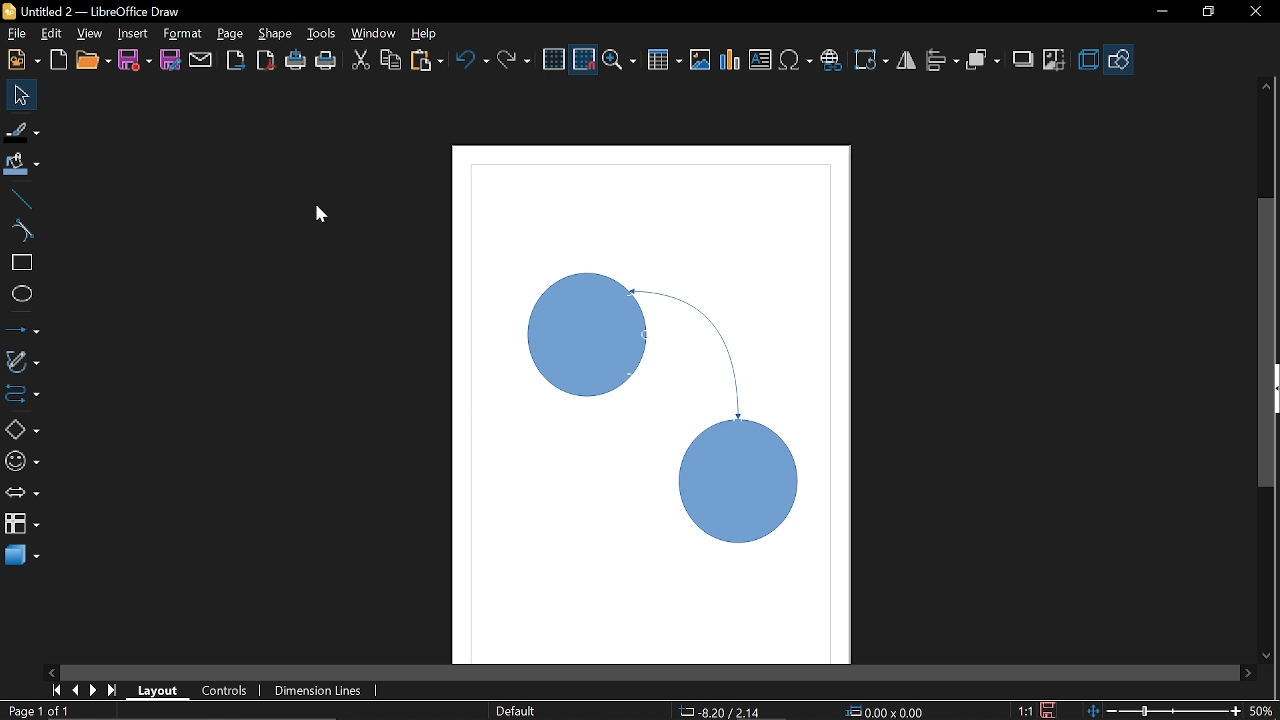 The height and width of the screenshot is (720, 1280). I want to click on Zoom chnage, so click(1163, 711).